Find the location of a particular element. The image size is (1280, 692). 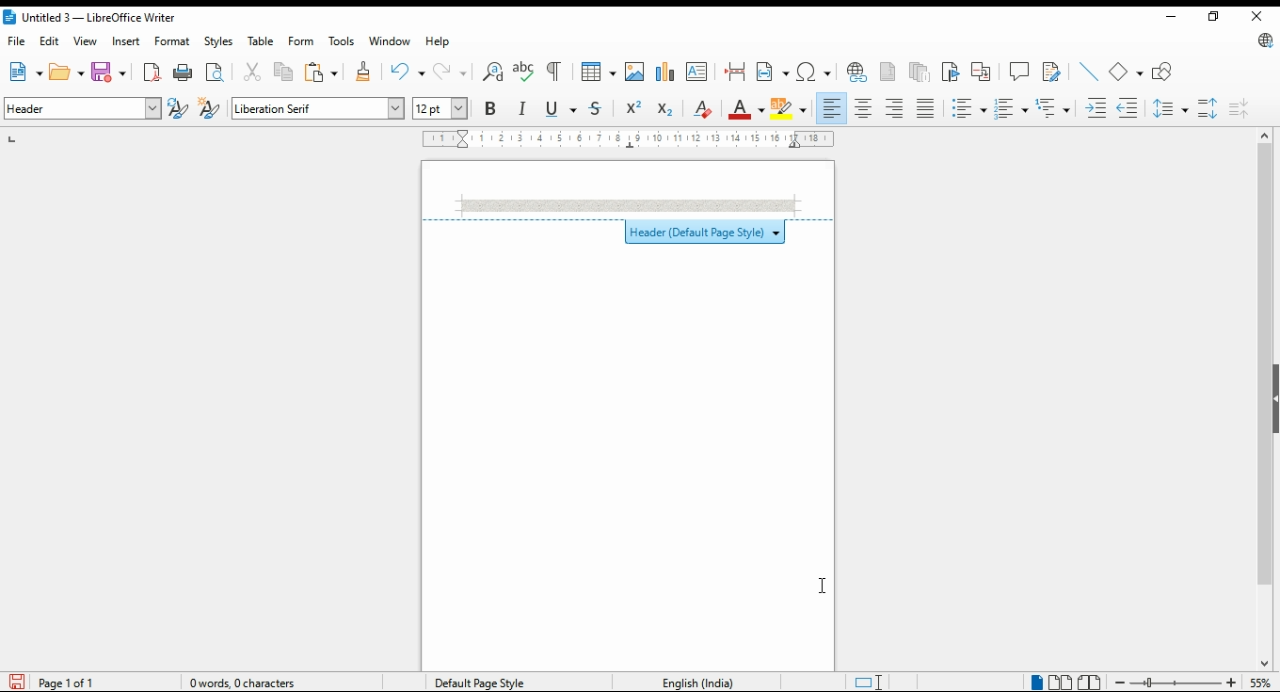

format directly as pdf is located at coordinates (153, 72).